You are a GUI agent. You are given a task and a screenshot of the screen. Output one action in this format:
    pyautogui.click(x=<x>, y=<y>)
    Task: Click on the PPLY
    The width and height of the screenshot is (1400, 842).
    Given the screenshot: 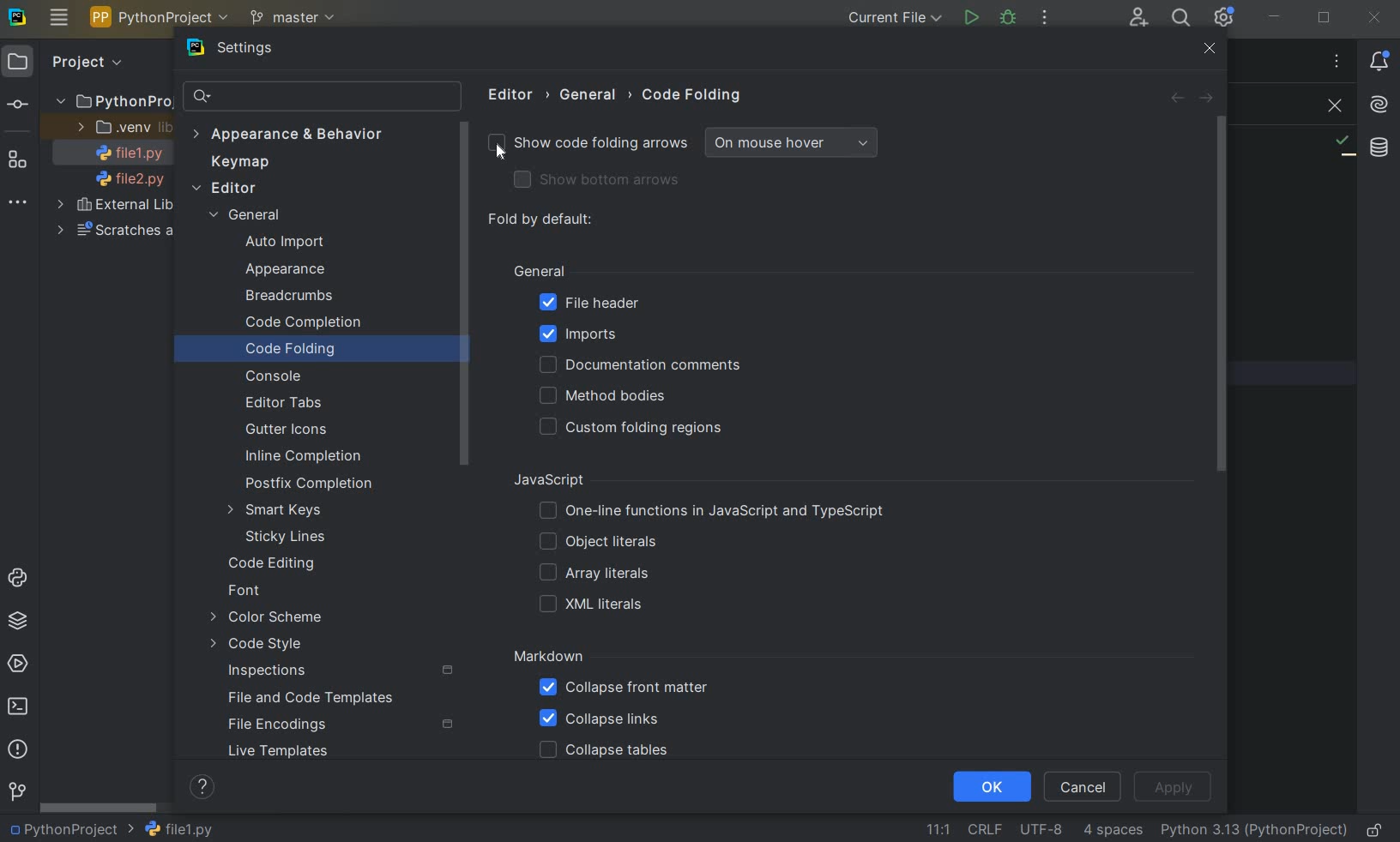 What is the action you would take?
    pyautogui.click(x=1175, y=786)
    